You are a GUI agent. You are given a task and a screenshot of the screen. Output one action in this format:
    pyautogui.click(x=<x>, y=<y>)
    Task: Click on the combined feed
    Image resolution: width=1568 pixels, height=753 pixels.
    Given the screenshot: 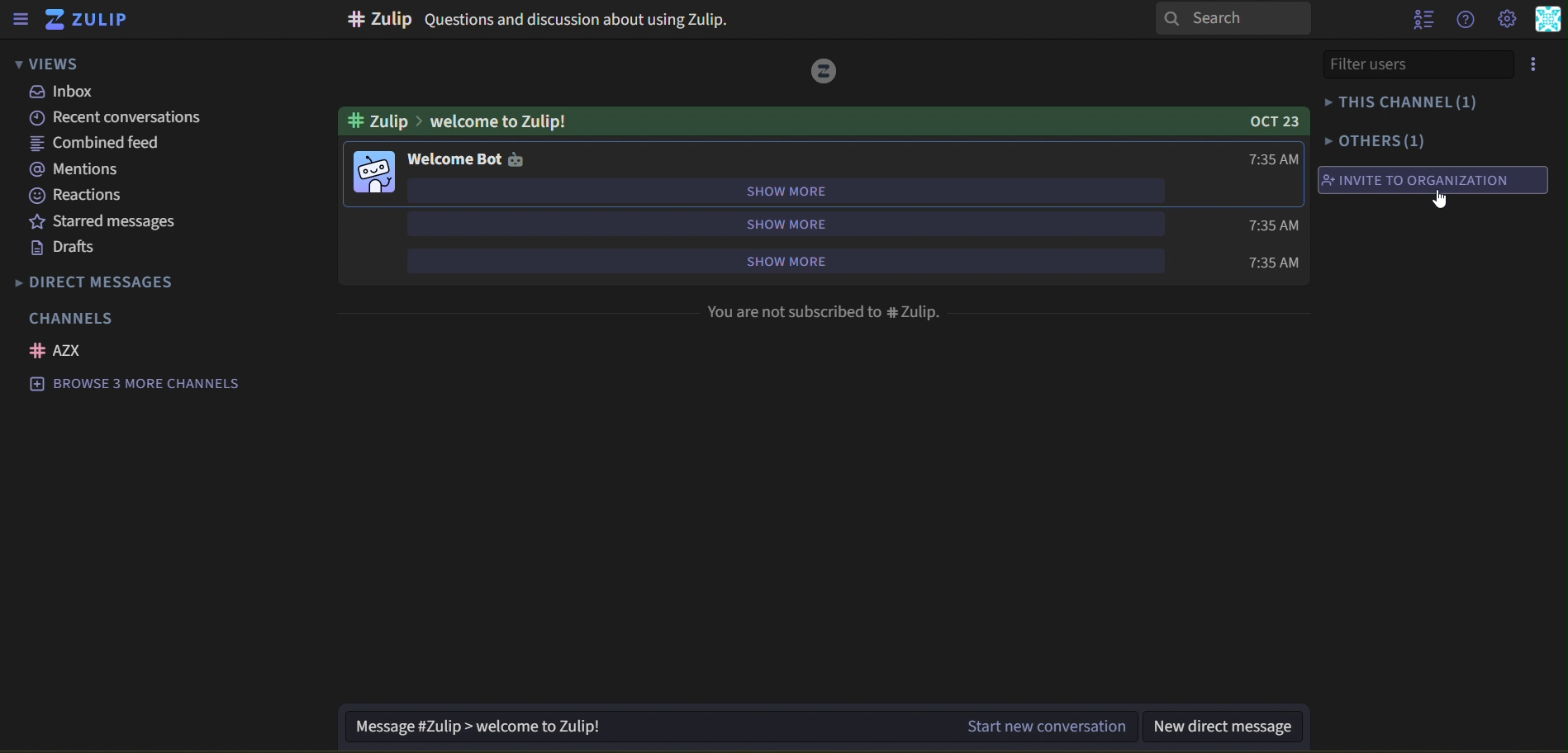 What is the action you would take?
    pyautogui.click(x=98, y=144)
    